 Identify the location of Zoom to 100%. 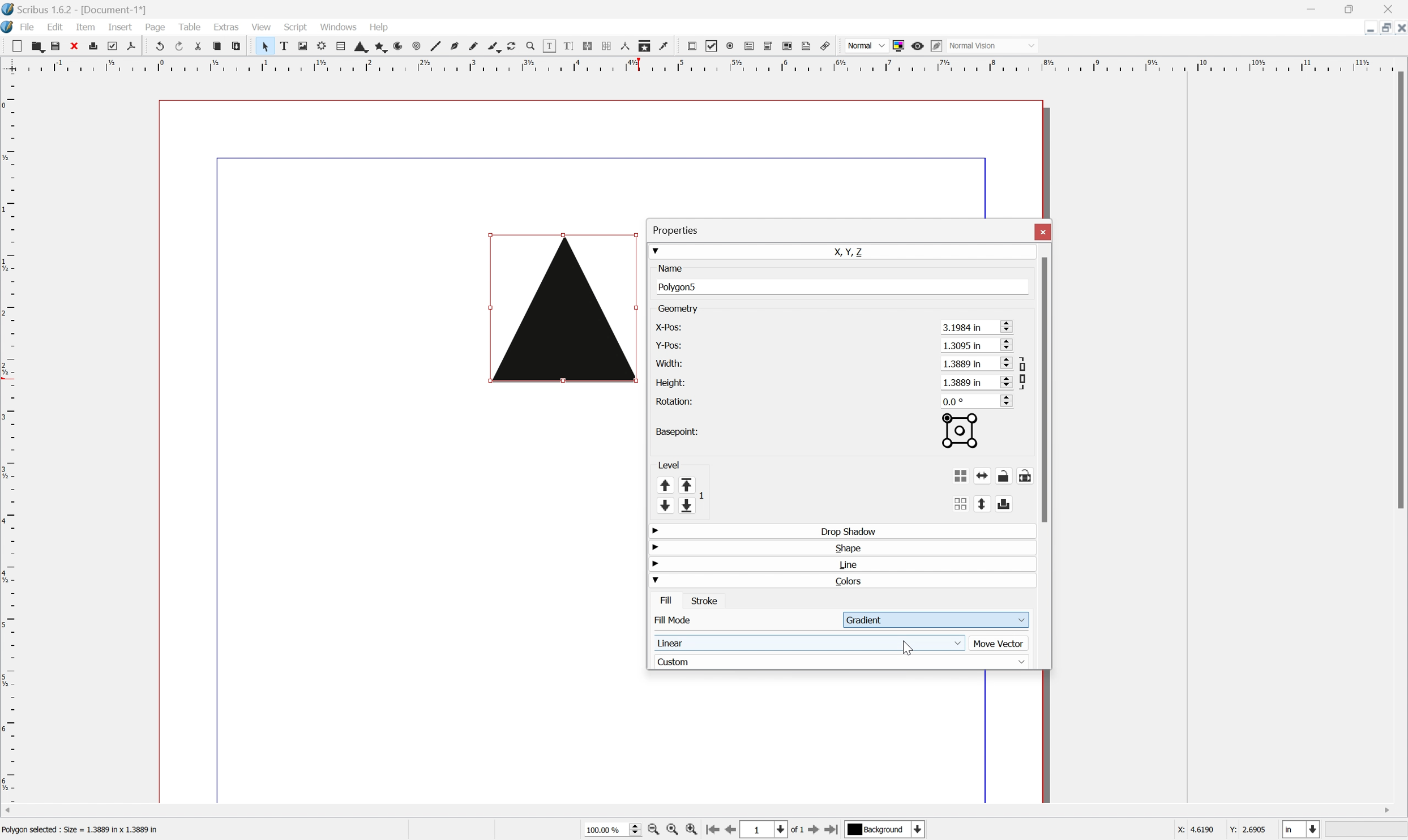
(675, 832).